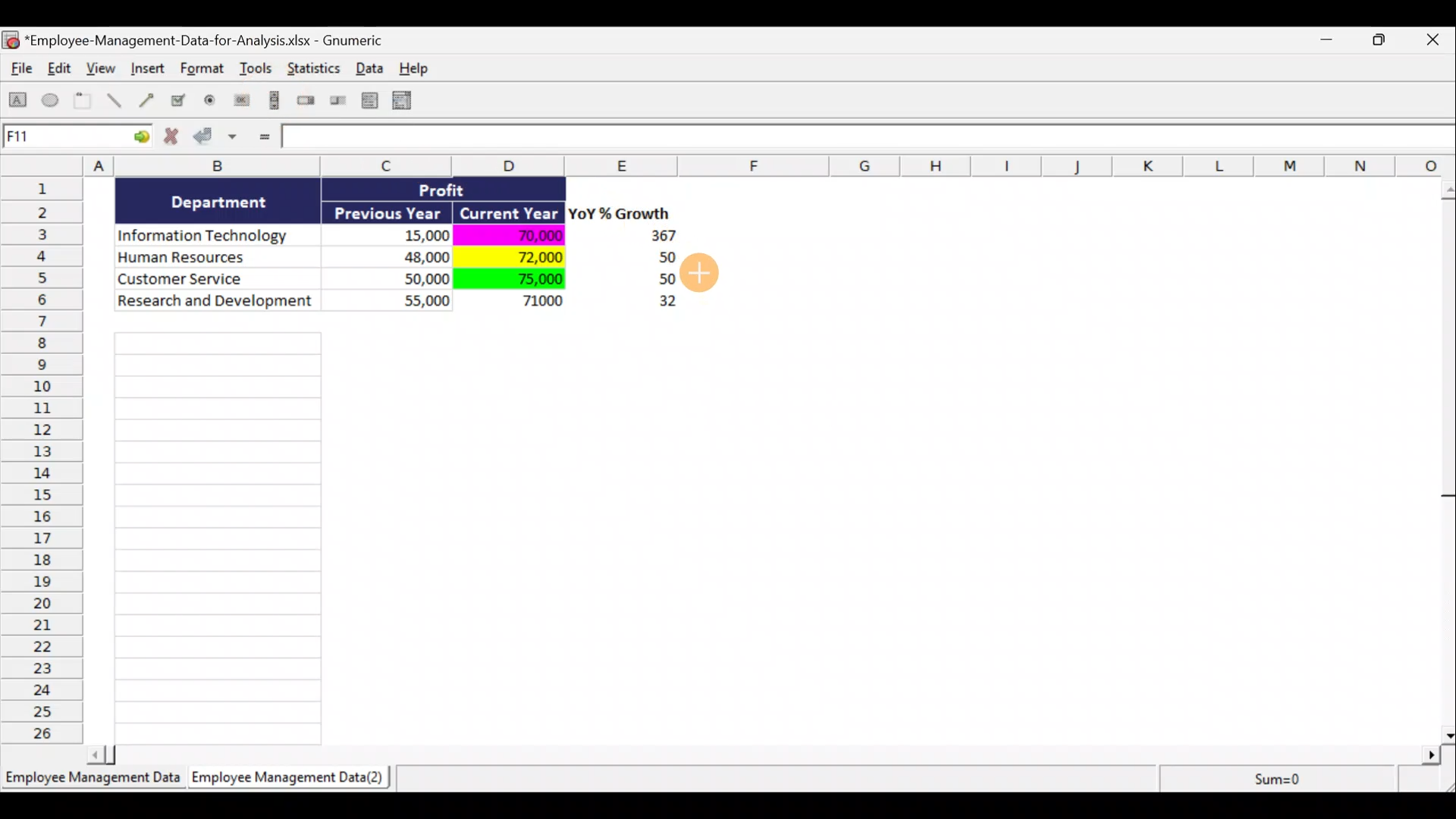  Describe the element at coordinates (397, 252) in the screenshot. I see `Data` at that location.